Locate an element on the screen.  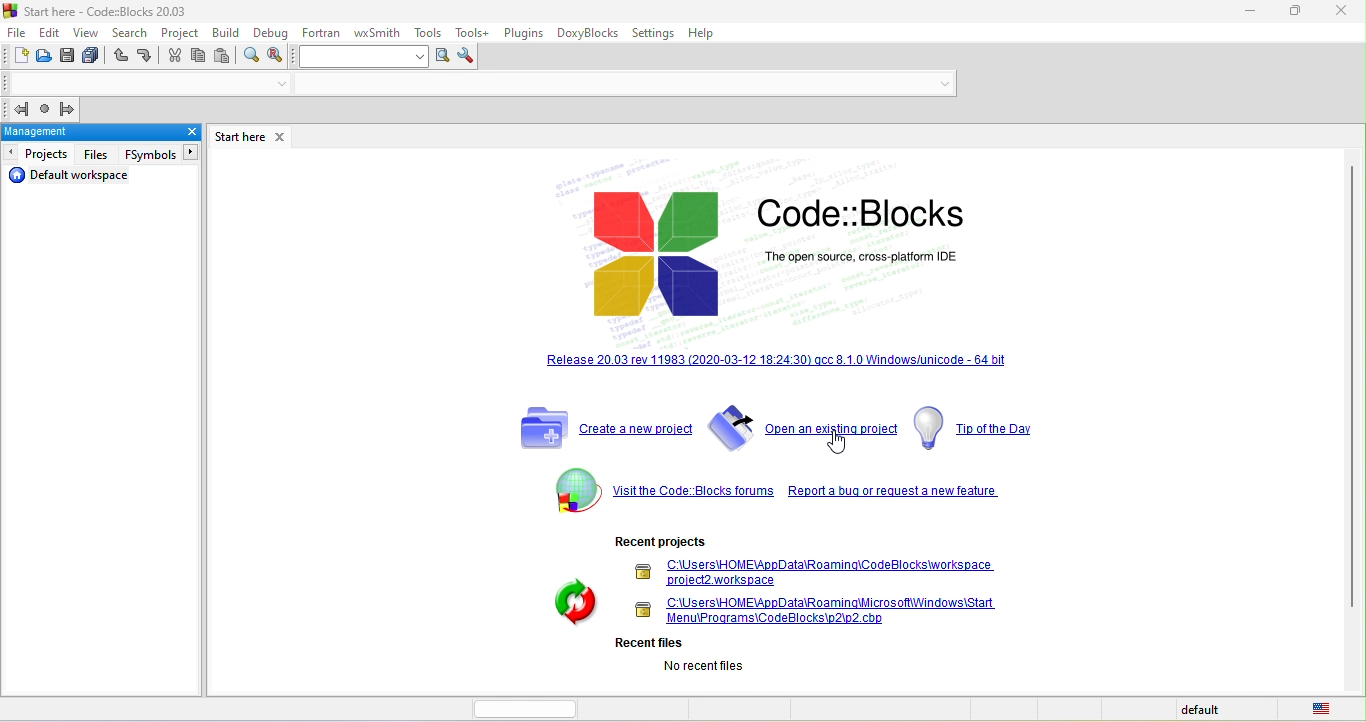
edit is located at coordinates (50, 32).